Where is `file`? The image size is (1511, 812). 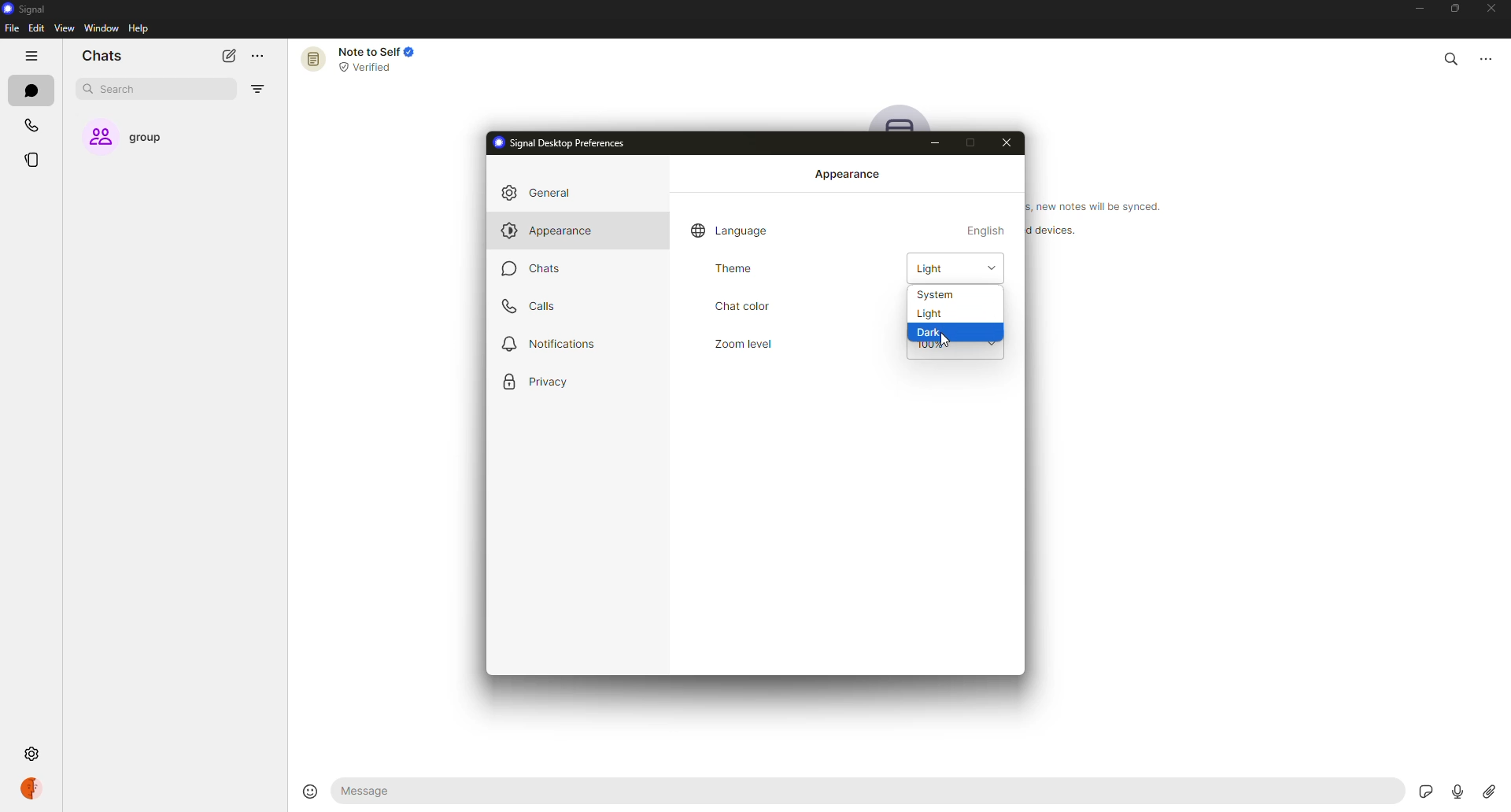
file is located at coordinates (11, 29).